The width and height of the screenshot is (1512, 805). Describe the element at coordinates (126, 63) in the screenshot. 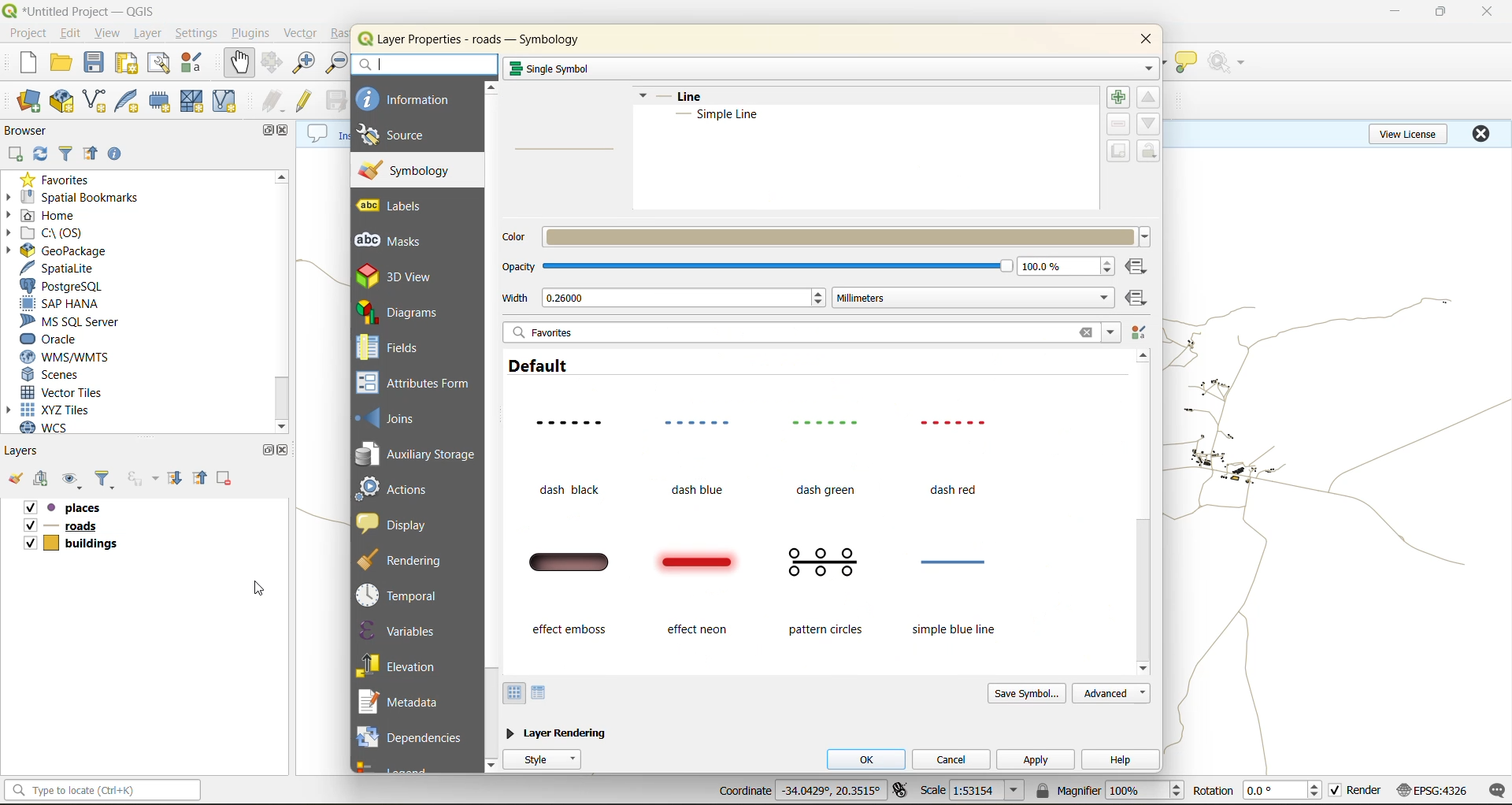

I see `print layout` at that location.